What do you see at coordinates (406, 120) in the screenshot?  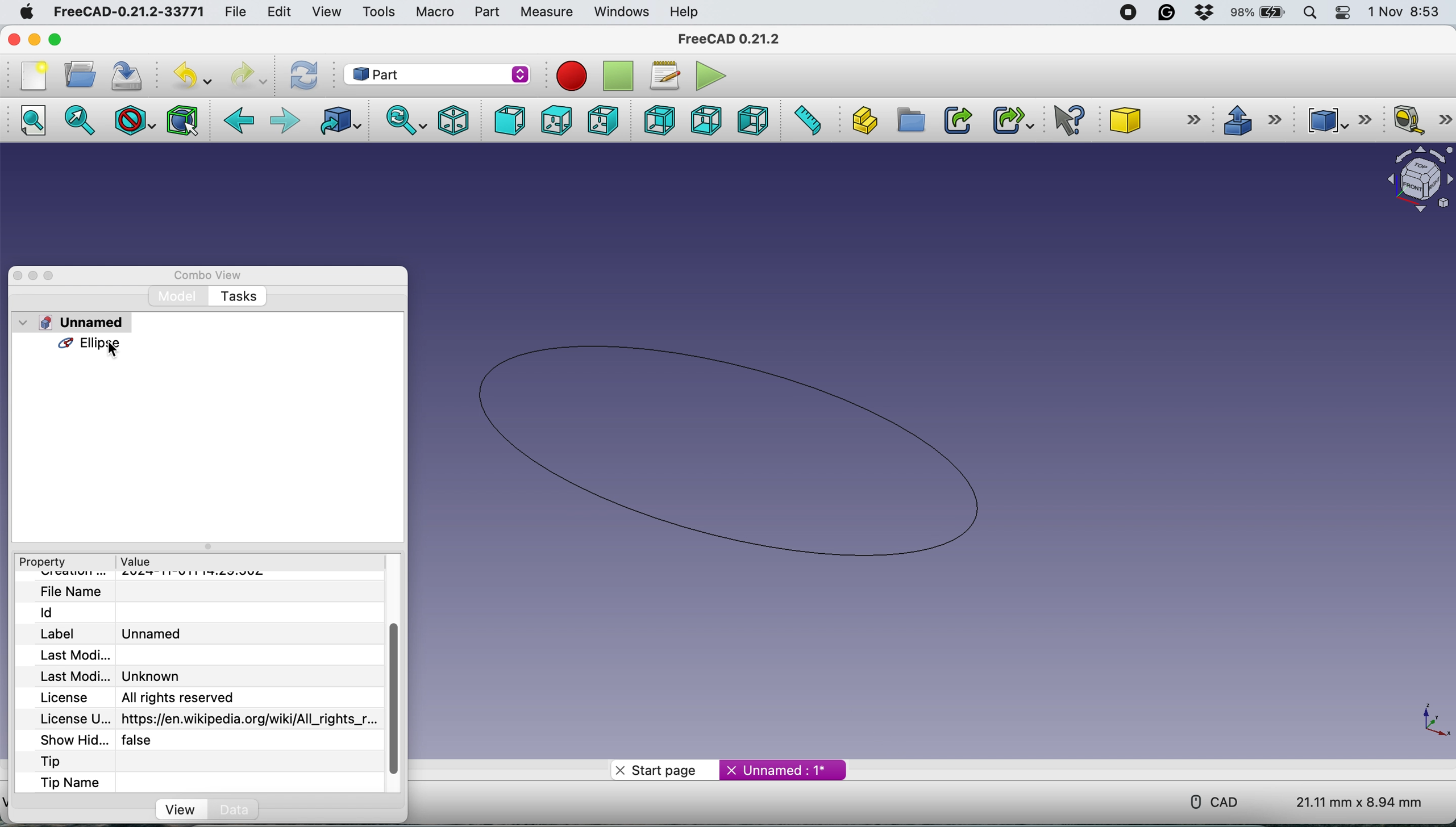 I see `sync view` at bounding box center [406, 120].